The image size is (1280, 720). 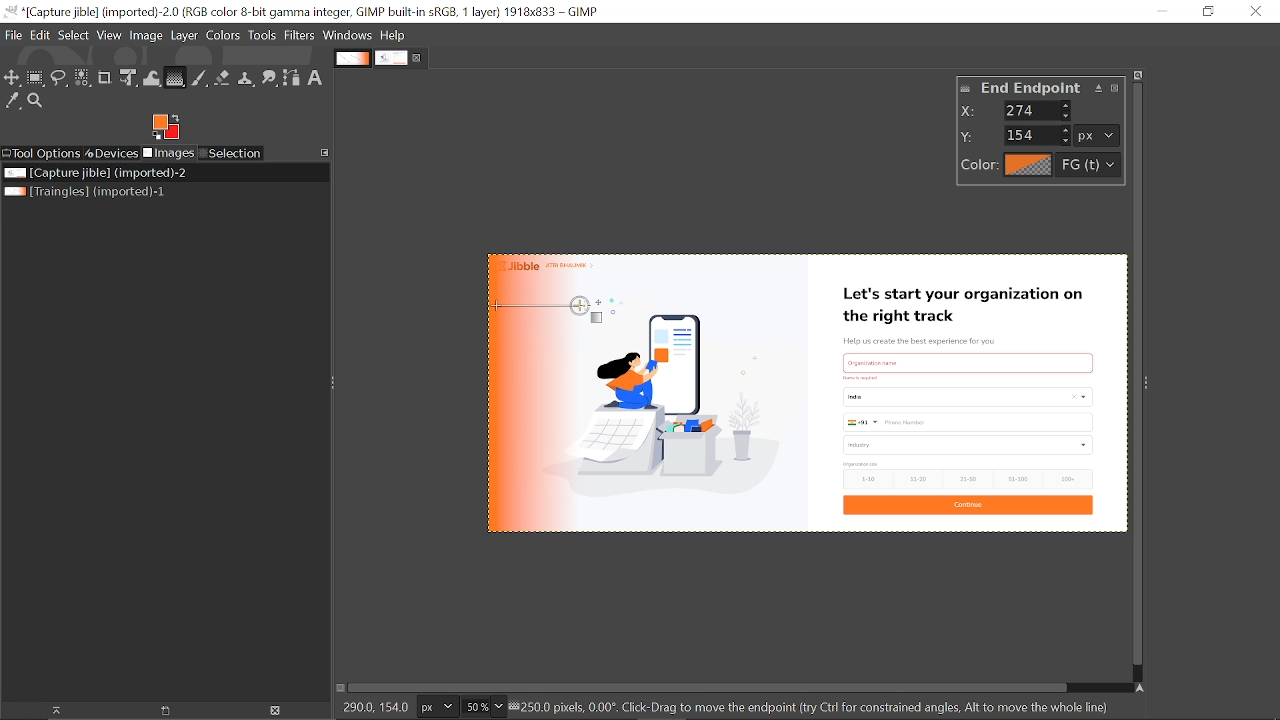 I want to click on Zoom tool, so click(x=35, y=100).